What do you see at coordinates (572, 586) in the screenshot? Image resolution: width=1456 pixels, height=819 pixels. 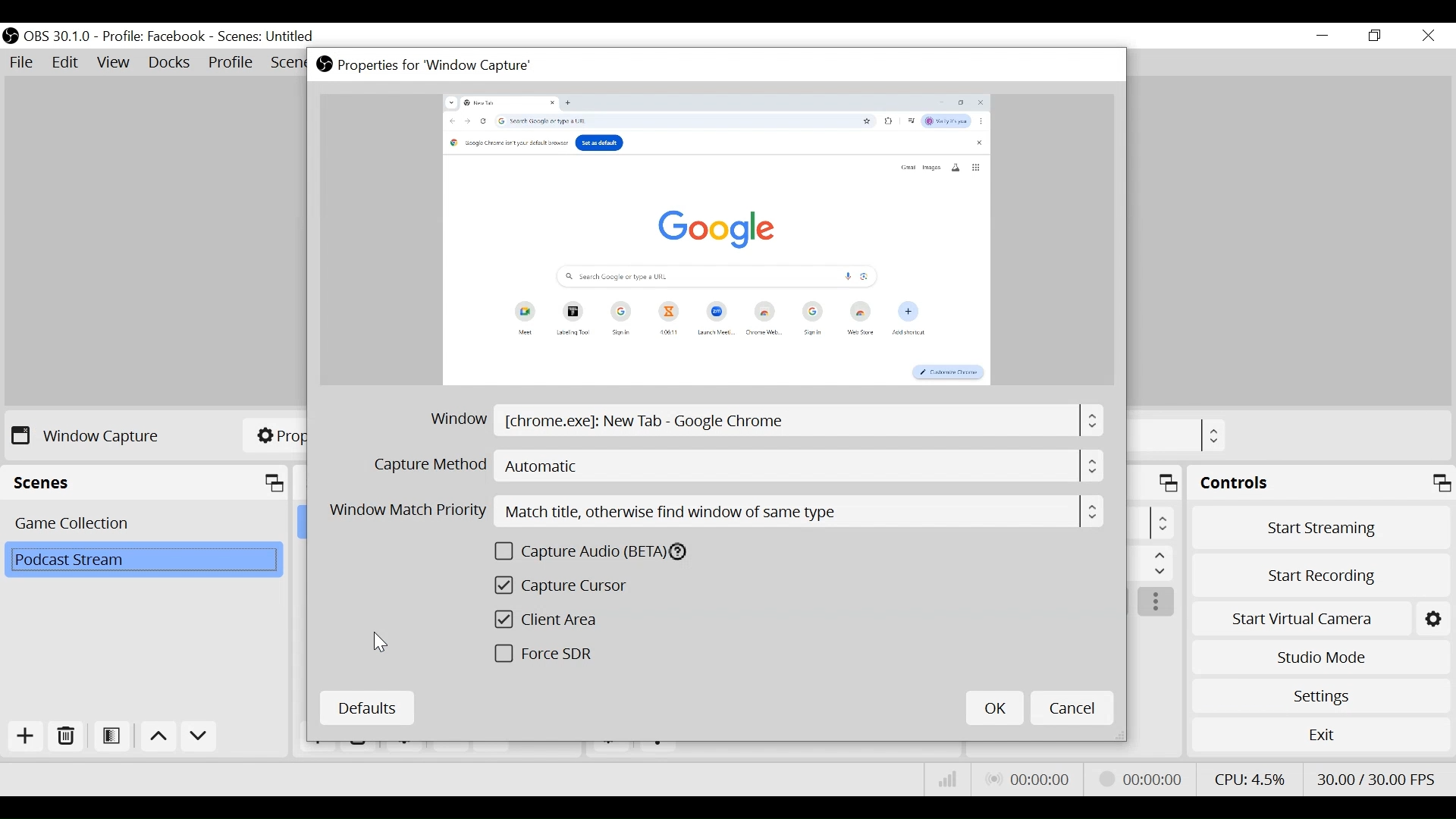 I see `(un)check Capture` at bounding box center [572, 586].